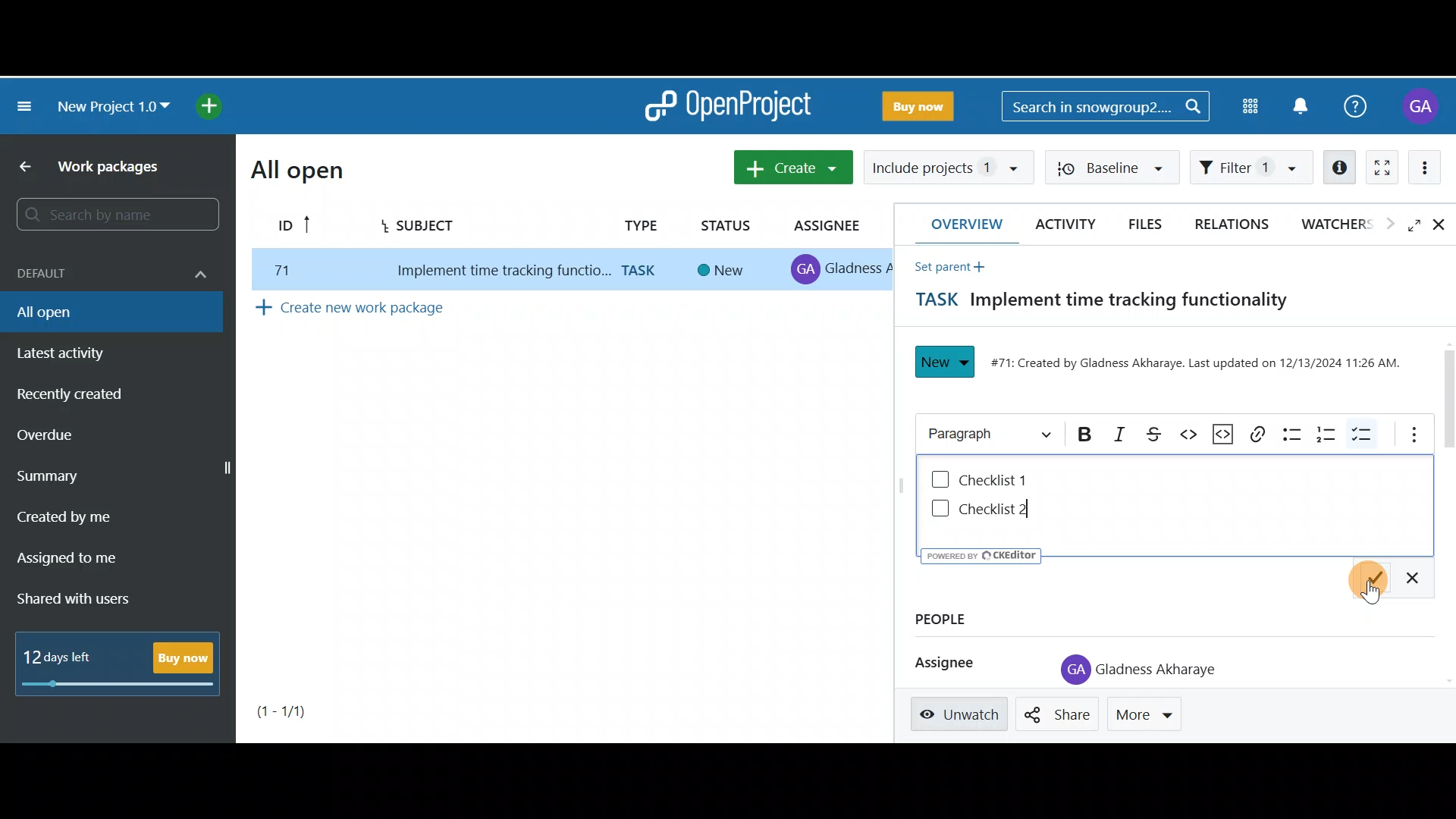  Describe the element at coordinates (971, 618) in the screenshot. I see `People` at that location.